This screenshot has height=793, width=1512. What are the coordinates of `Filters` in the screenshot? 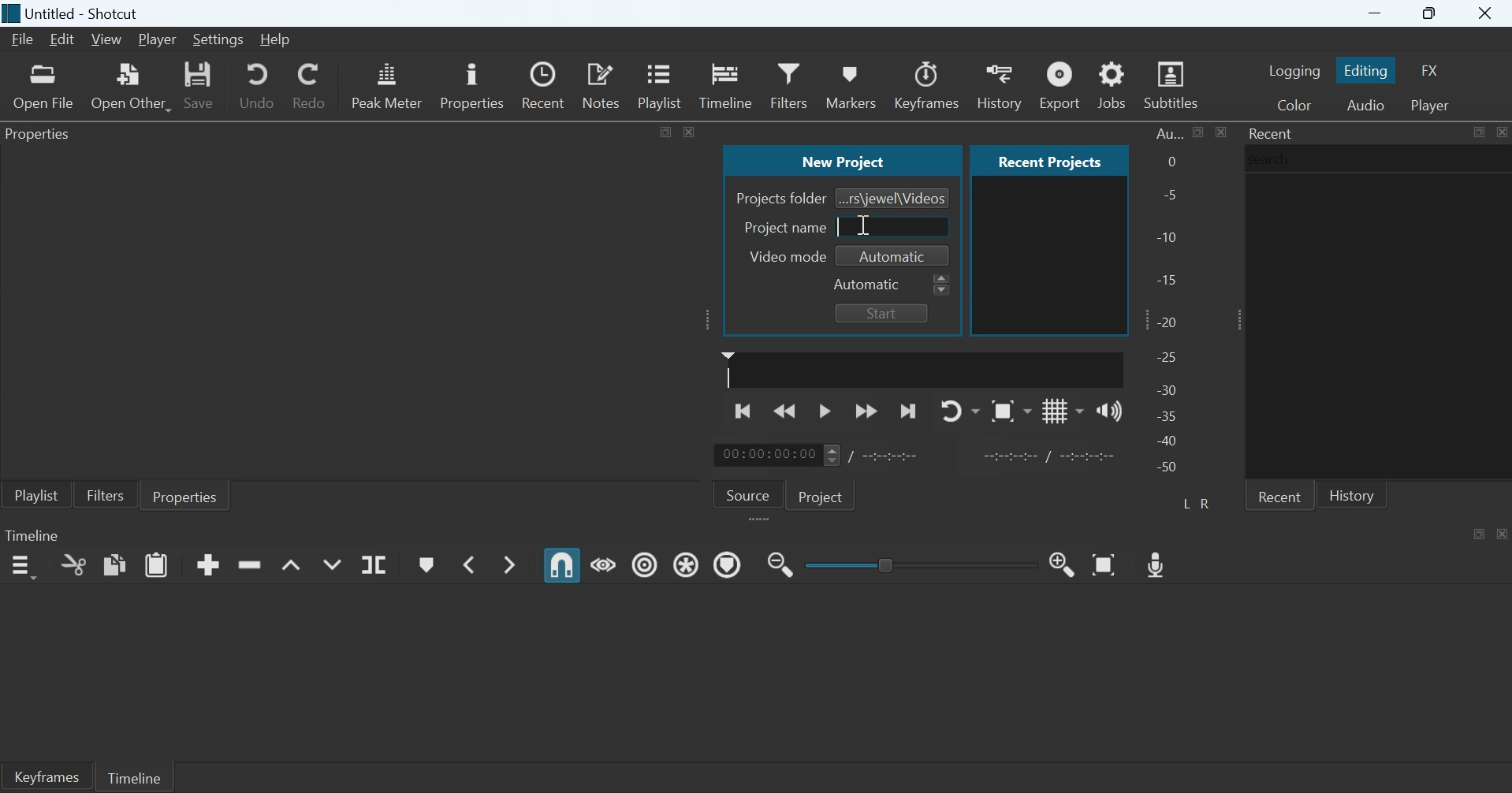 It's located at (105, 494).